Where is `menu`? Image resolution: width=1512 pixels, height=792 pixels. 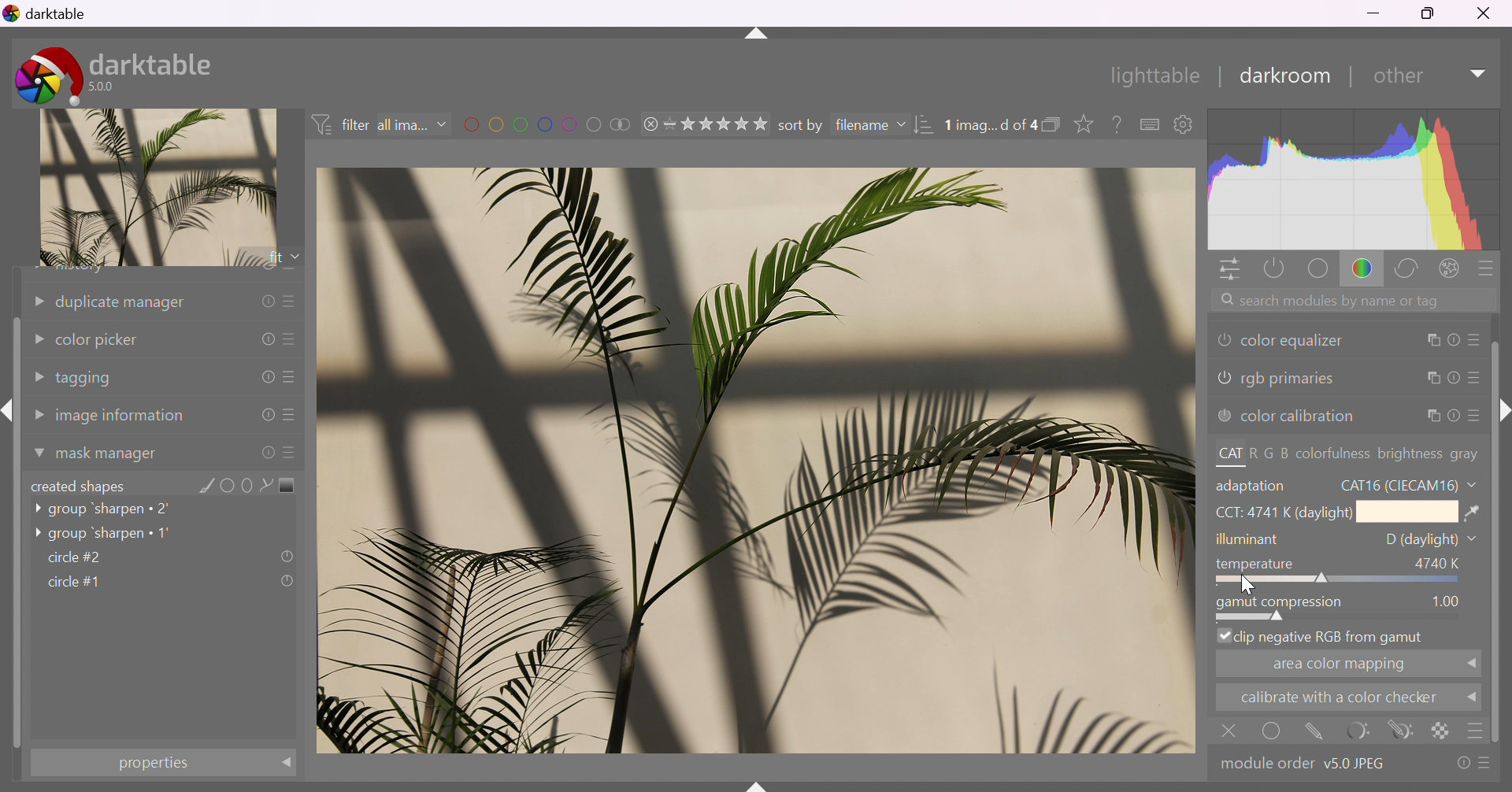 menu is located at coordinates (1473, 731).